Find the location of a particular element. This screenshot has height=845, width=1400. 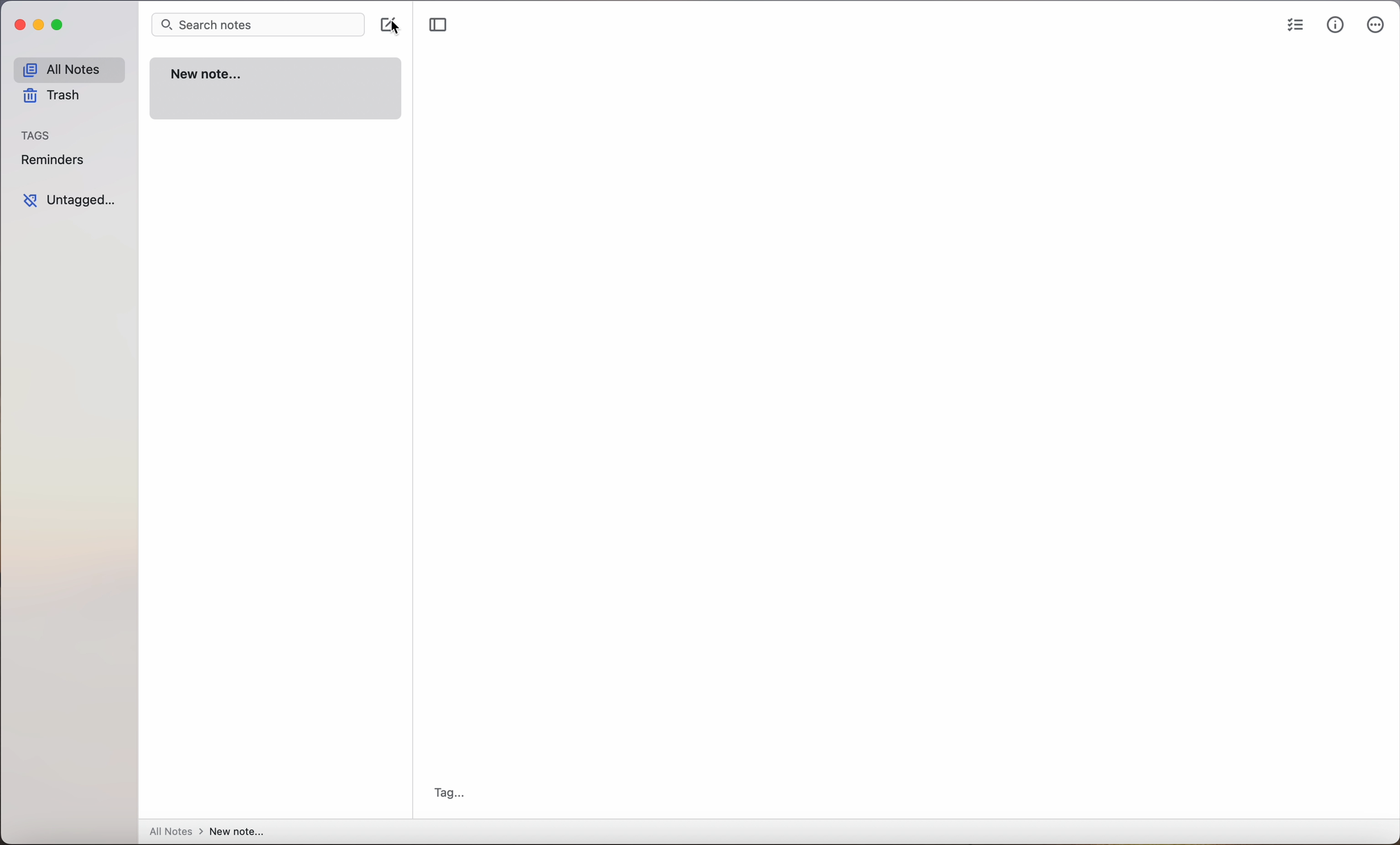

untagged is located at coordinates (69, 200).